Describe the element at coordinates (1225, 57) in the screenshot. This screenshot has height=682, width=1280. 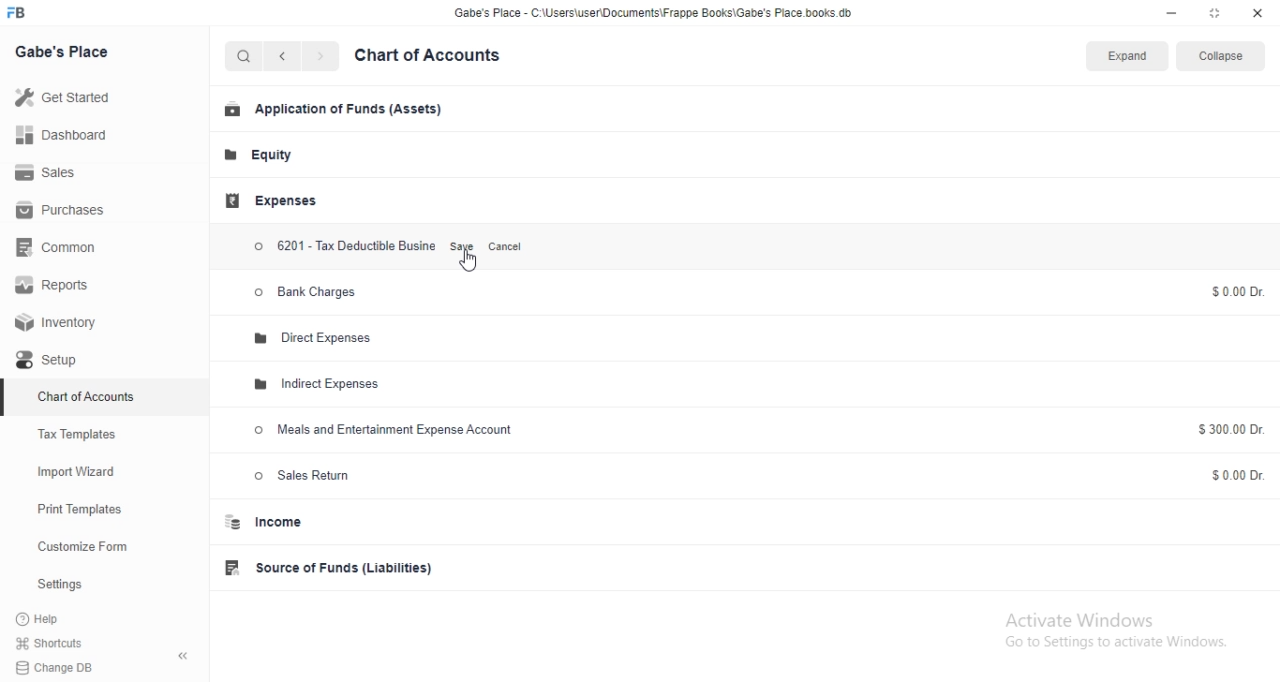
I see `Collapse.` at that location.